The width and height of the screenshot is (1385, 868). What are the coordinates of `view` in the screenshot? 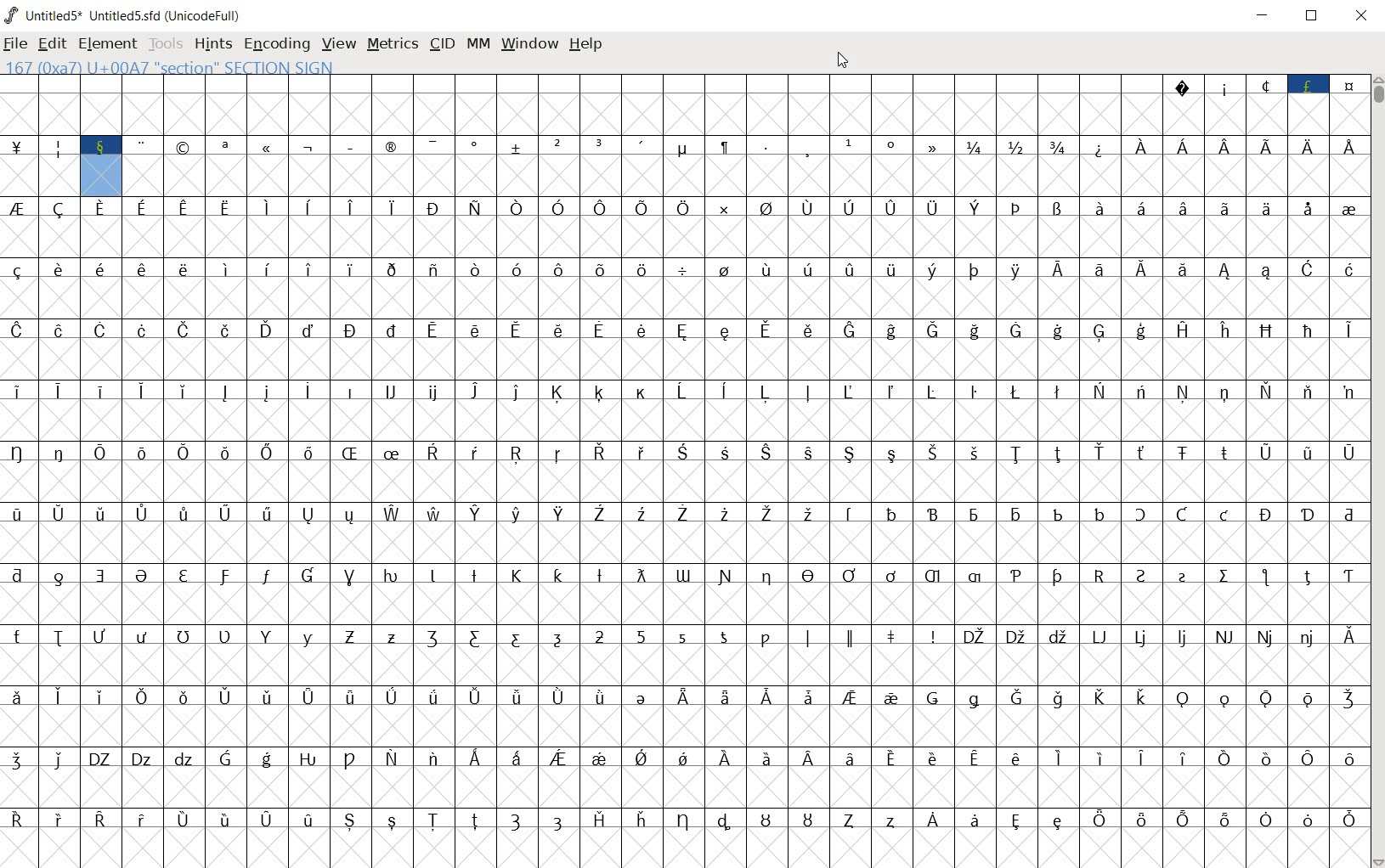 It's located at (337, 42).